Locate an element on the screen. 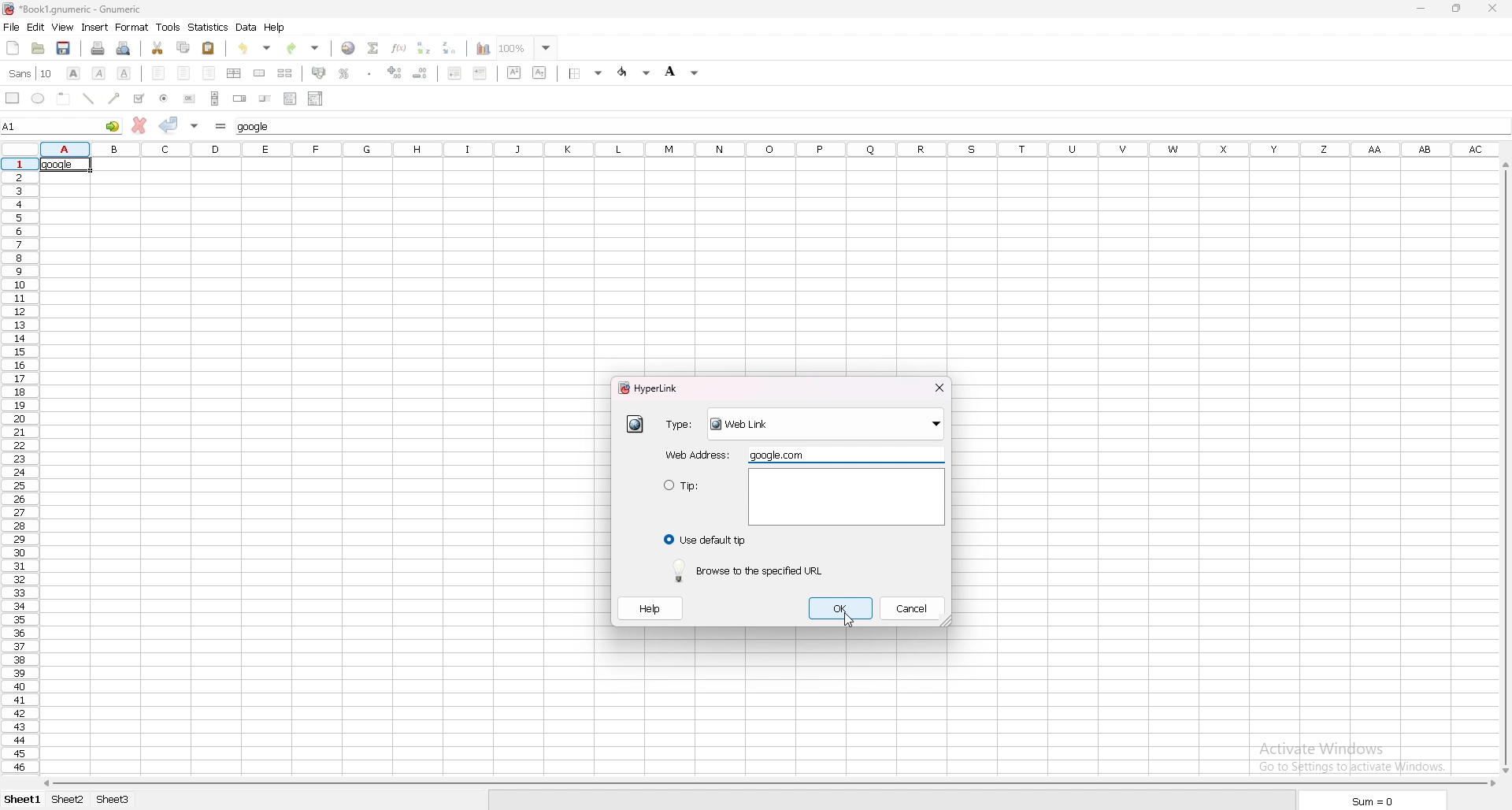 Image resolution: width=1512 pixels, height=810 pixels. save is located at coordinates (66, 48).